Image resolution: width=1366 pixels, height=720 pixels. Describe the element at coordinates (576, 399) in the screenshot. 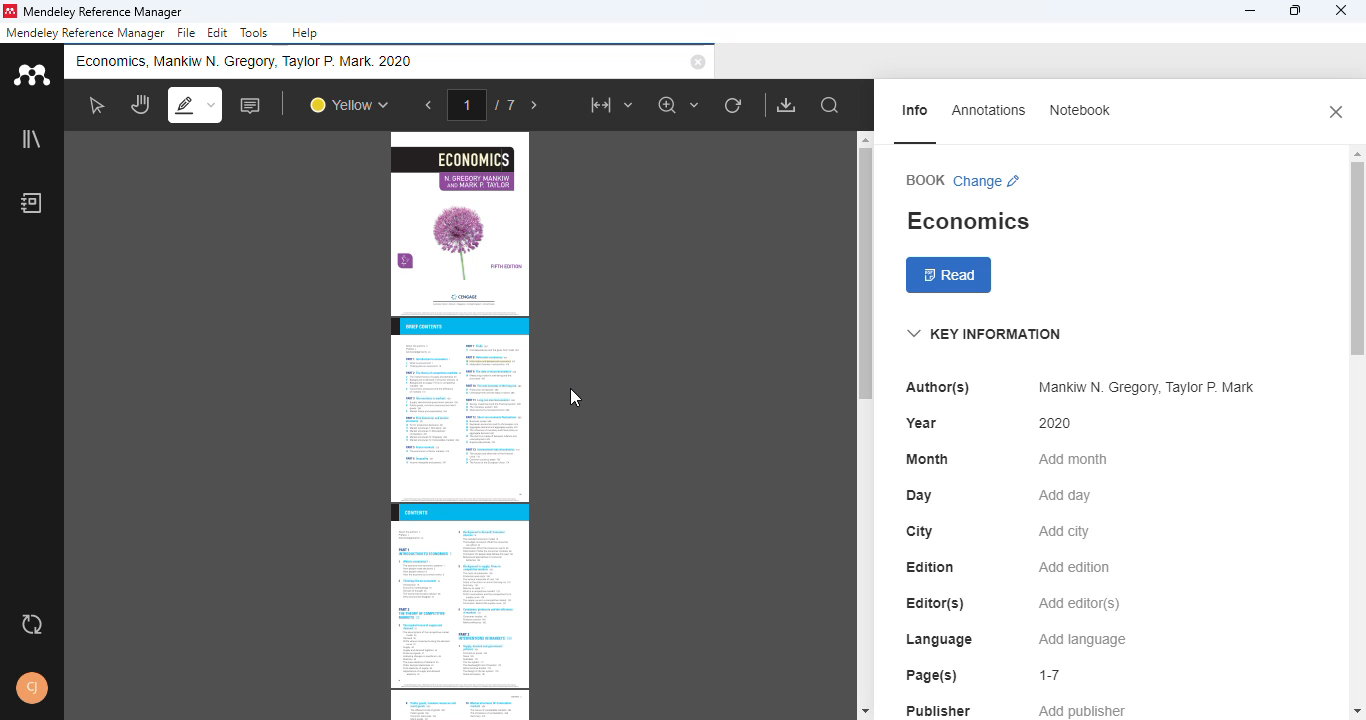

I see `cursor` at that location.